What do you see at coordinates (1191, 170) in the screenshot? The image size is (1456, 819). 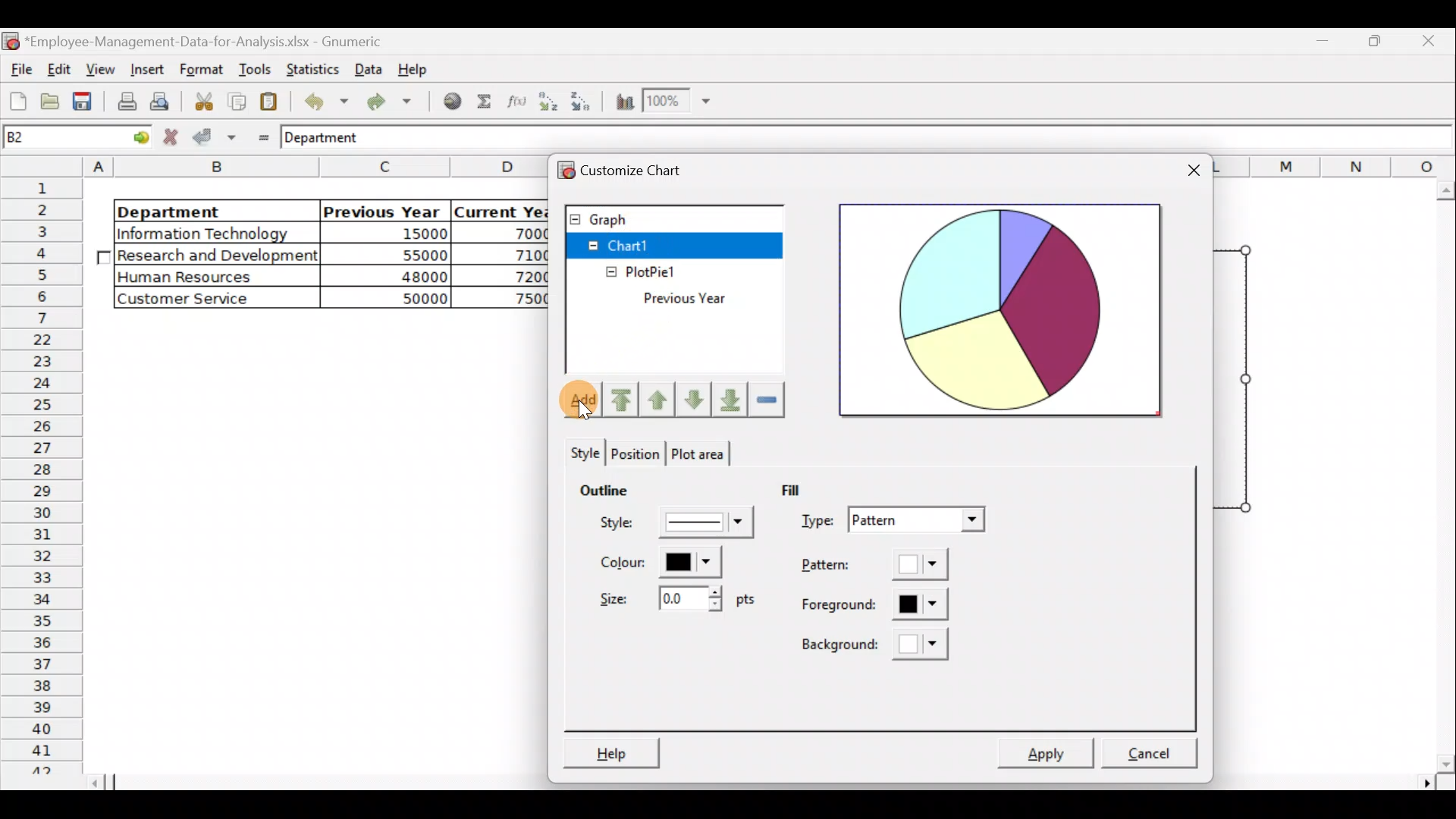 I see `Close` at bounding box center [1191, 170].